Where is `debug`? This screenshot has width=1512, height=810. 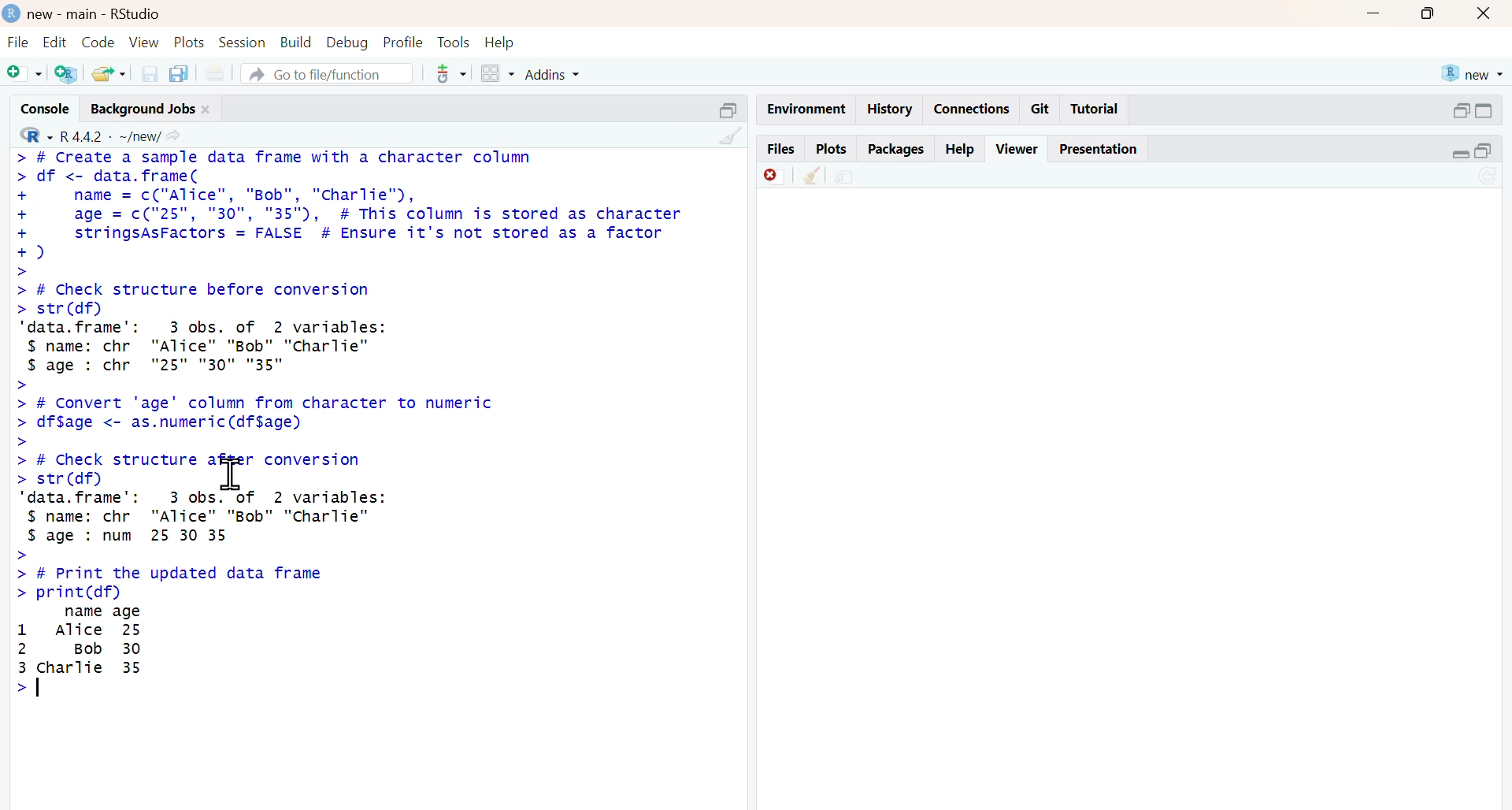 debug is located at coordinates (347, 43).